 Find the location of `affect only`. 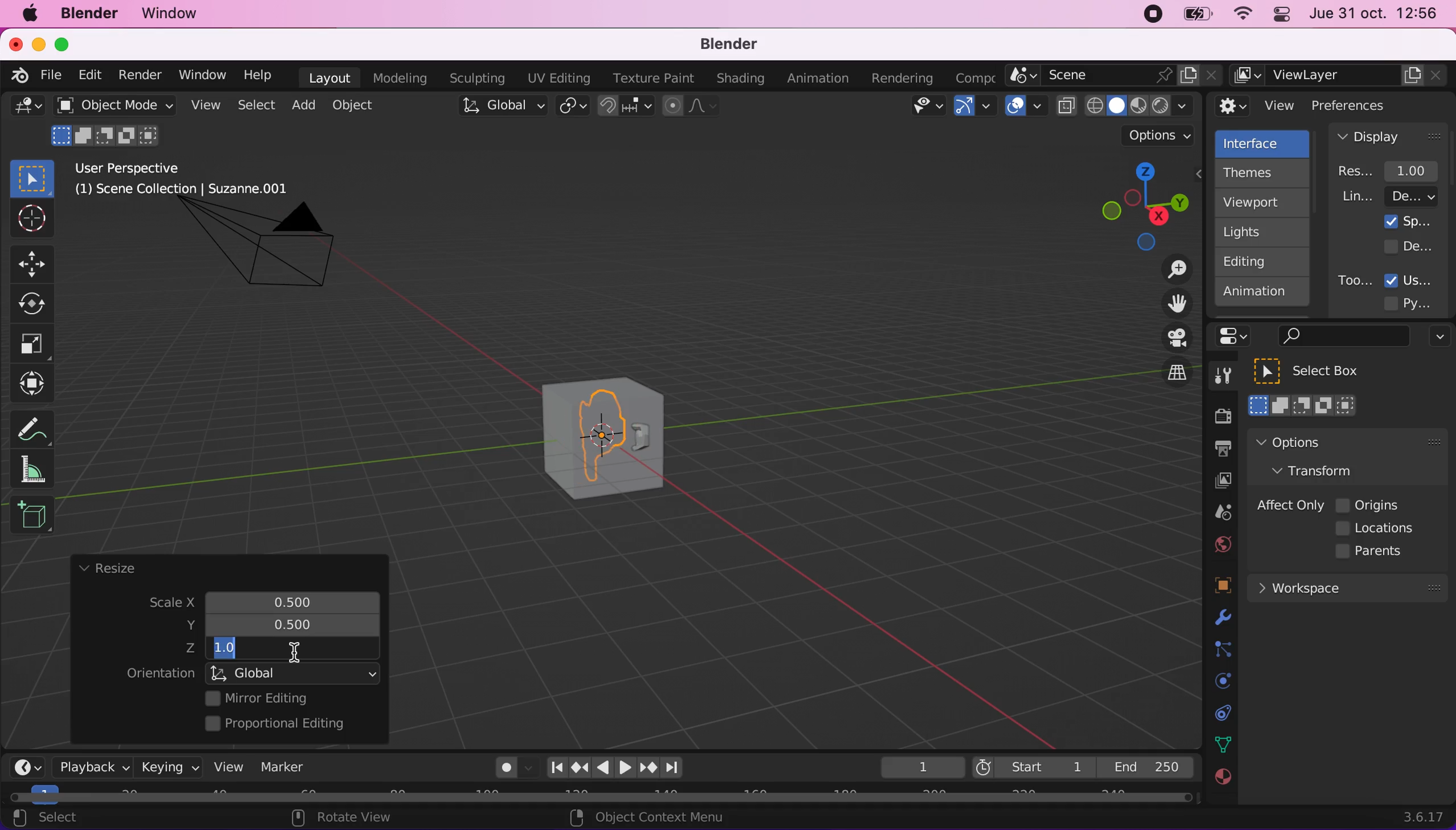

affect only is located at coordinates (1288, 505).